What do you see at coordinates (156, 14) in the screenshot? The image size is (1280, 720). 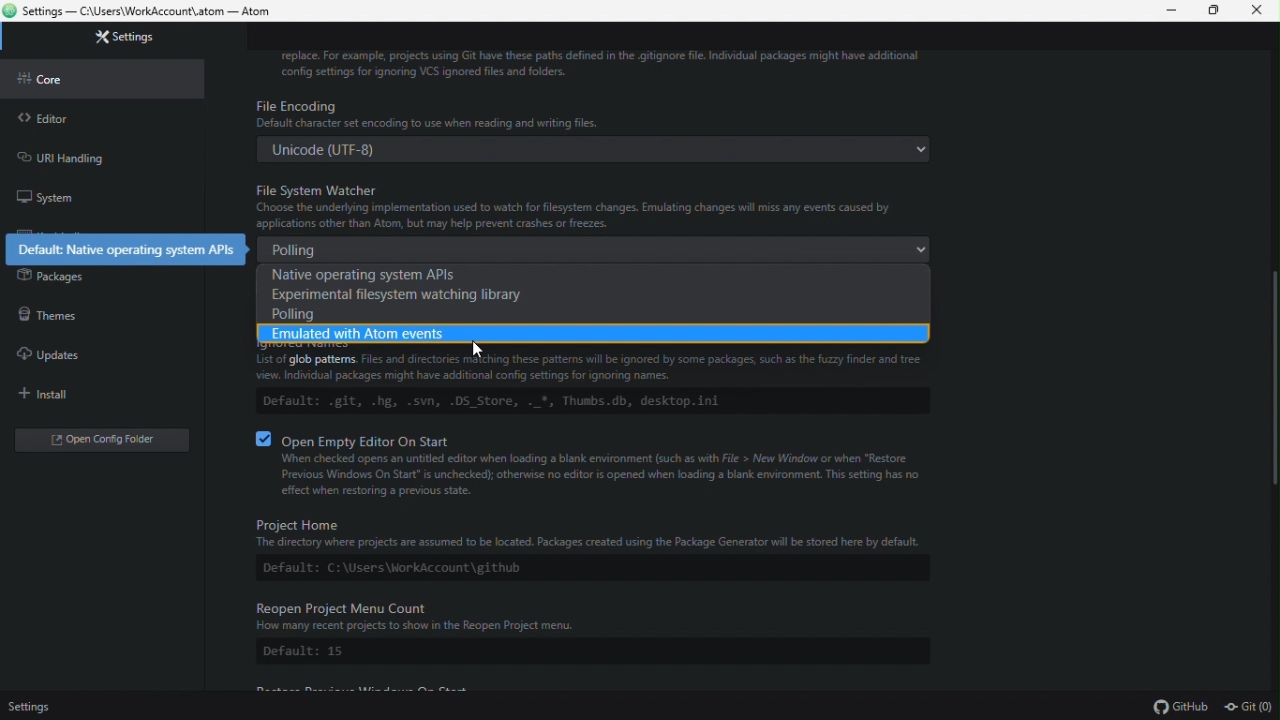 I see `Settings - C:/Users/WorkAccount\atom - Atom` at bounding box center [156, 14].